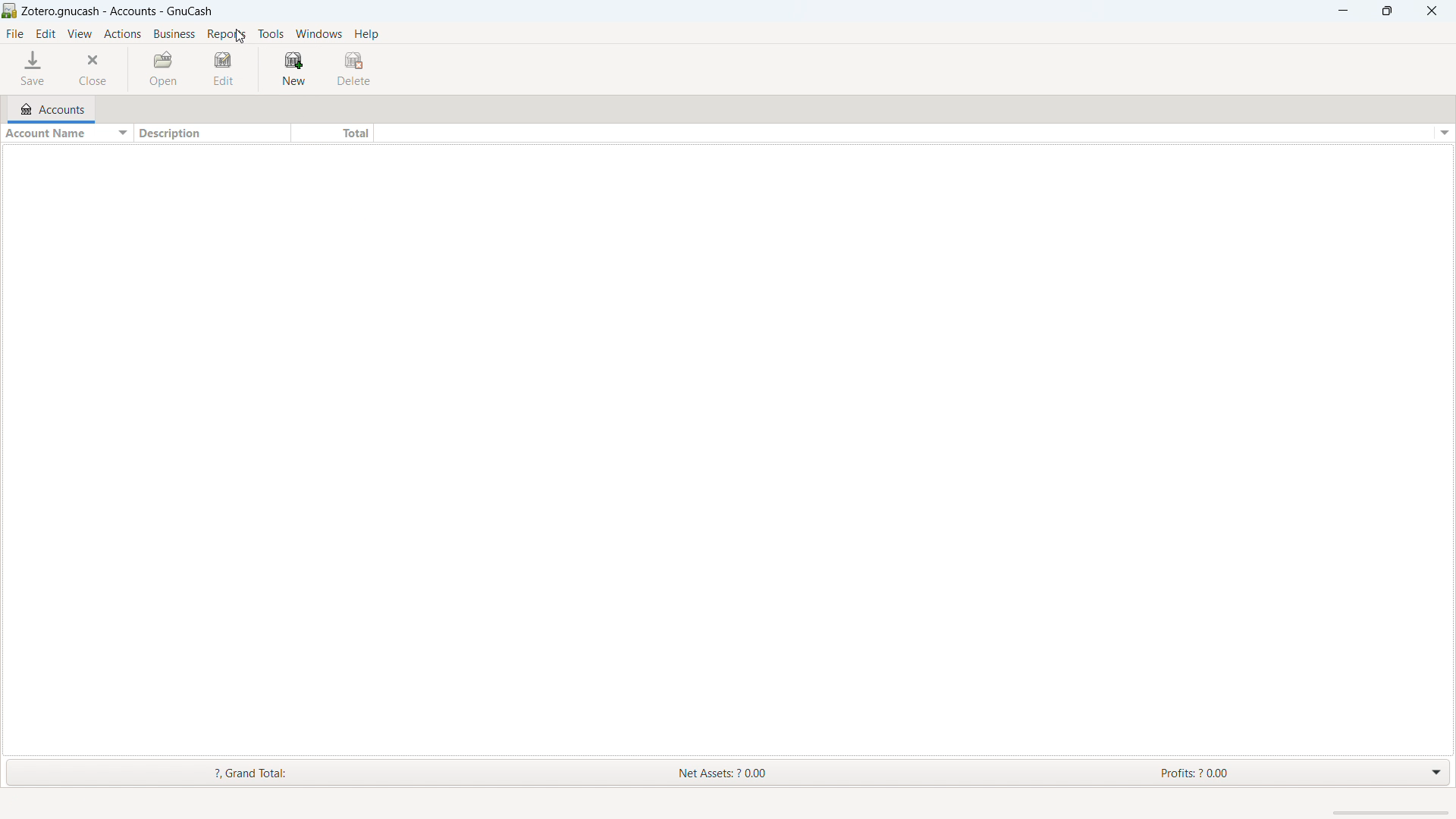  I want to click on close, so click(96, 68).